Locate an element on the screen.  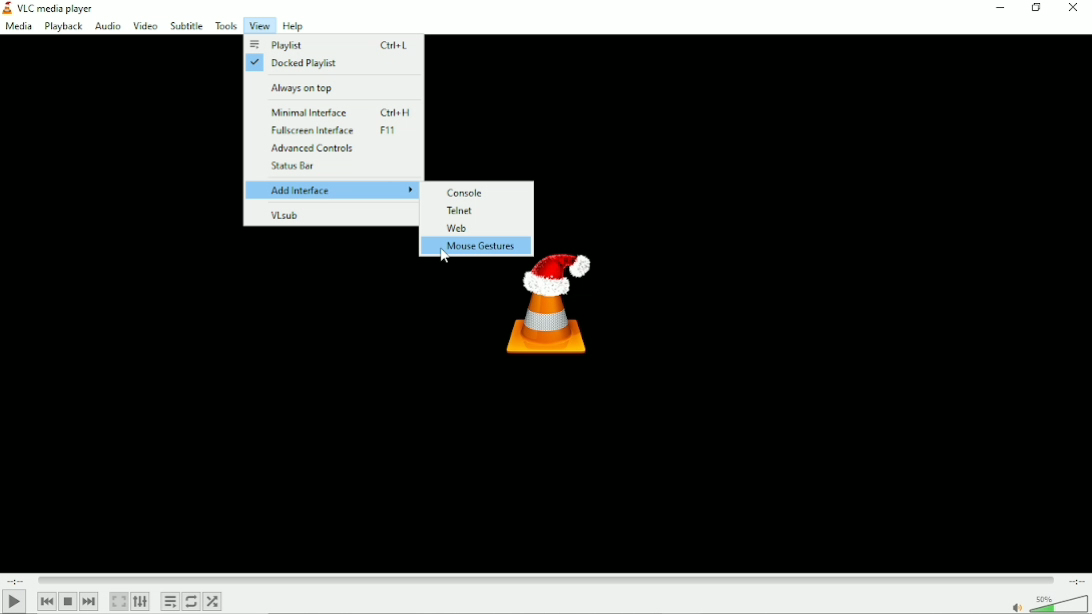
Tools is located at coordinates (226, 23).